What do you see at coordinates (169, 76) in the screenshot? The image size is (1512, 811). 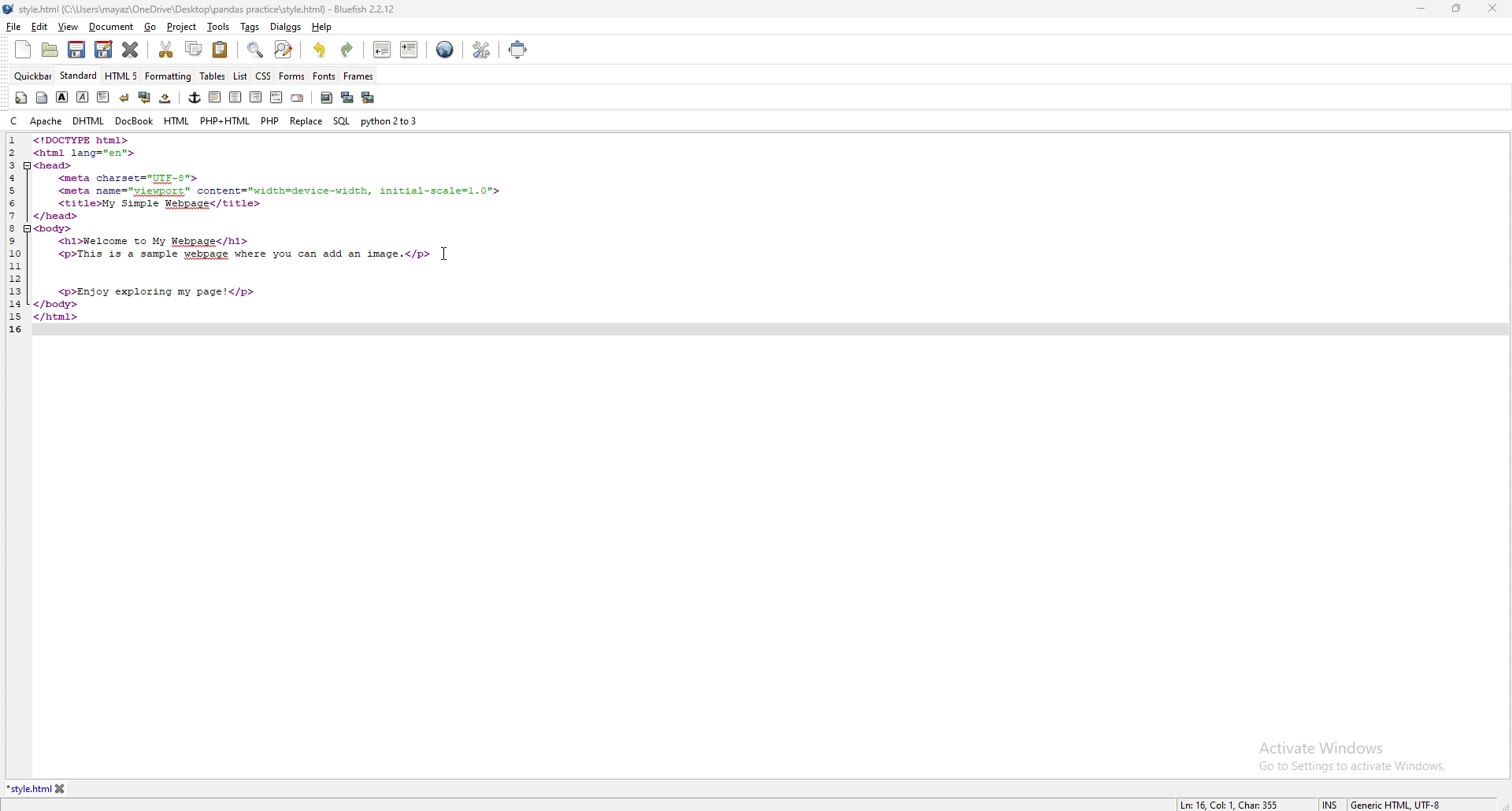 I see `formatting` at bounding box center [169, 76].